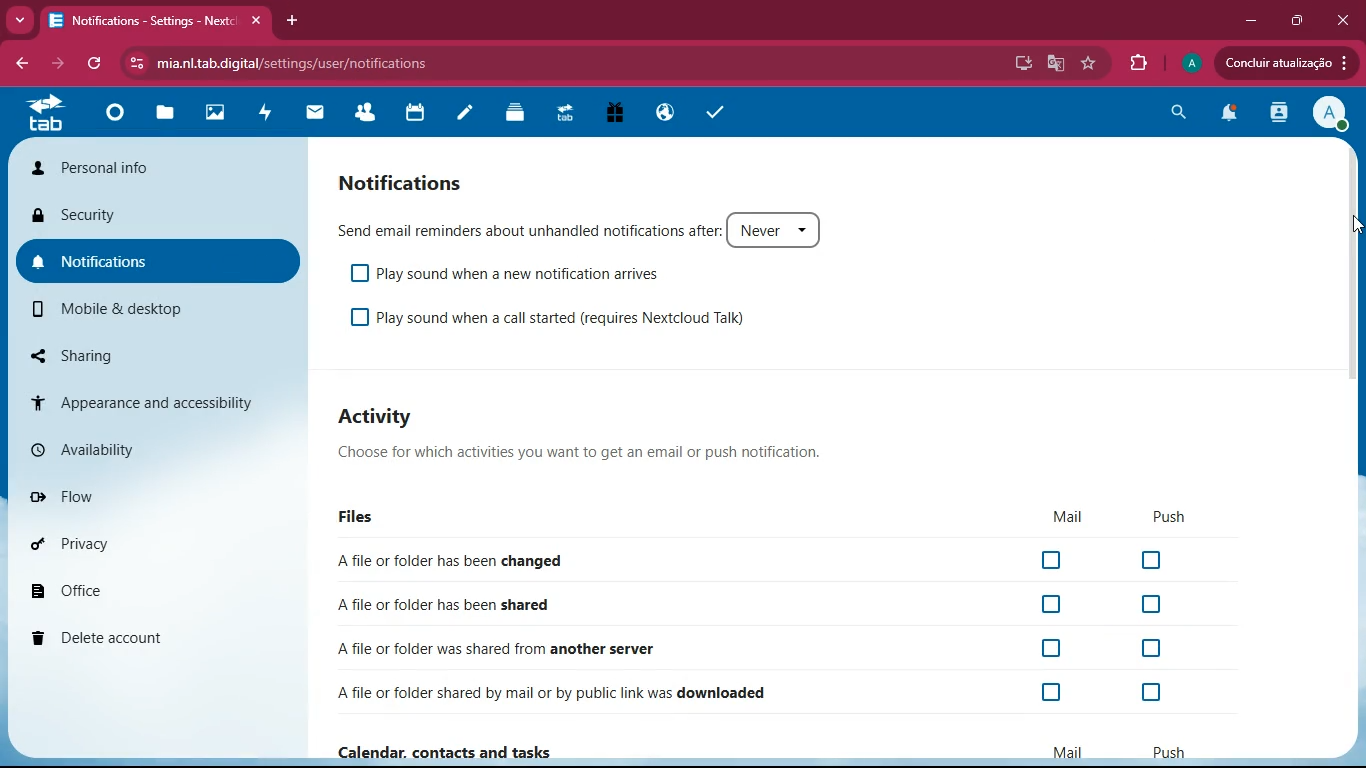  Describe the element at coordinates (513, 276) in the screenshot. I see `Play sound when a new notification arrives` at that location.